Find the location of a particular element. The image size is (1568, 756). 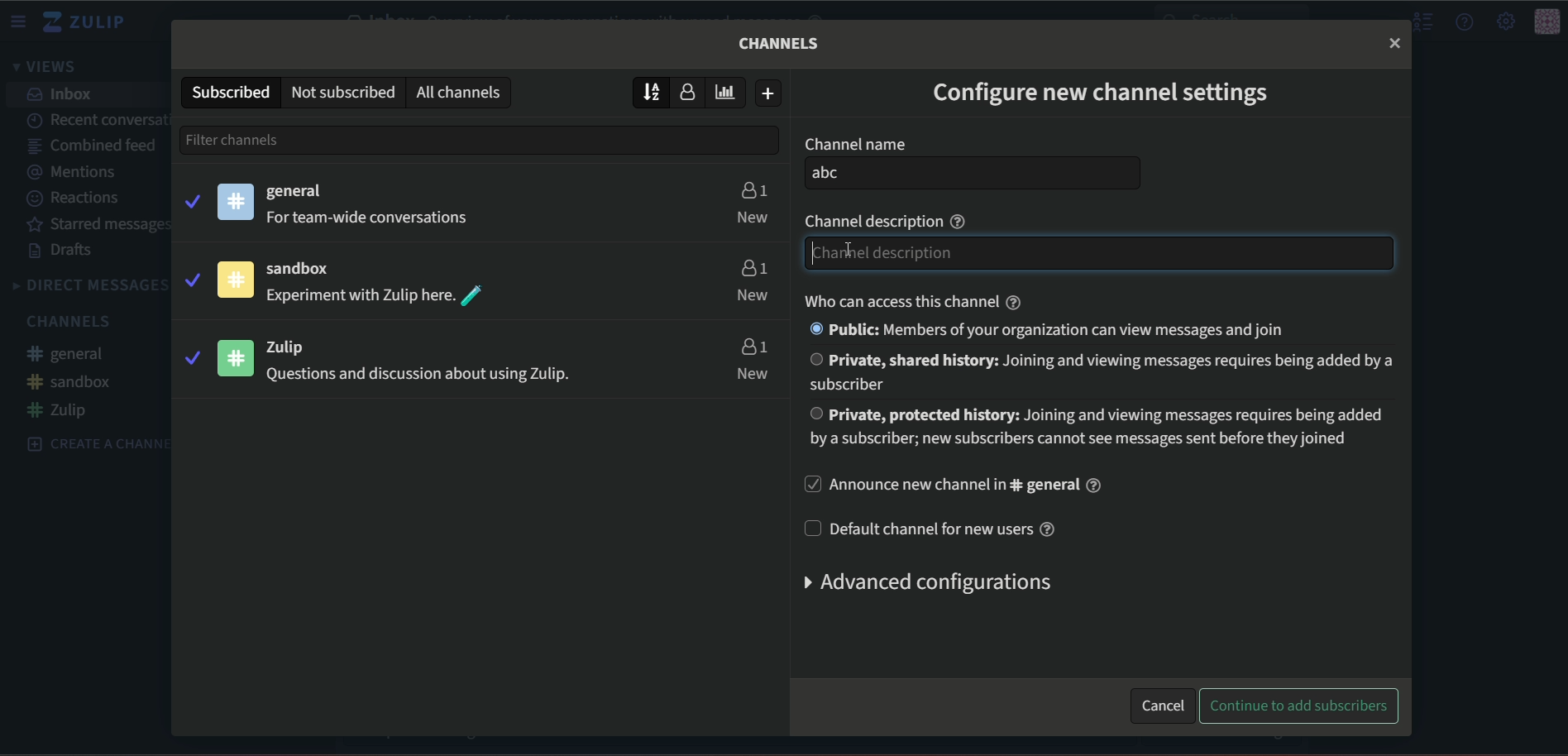

tick is located at coordinates (191, 199).